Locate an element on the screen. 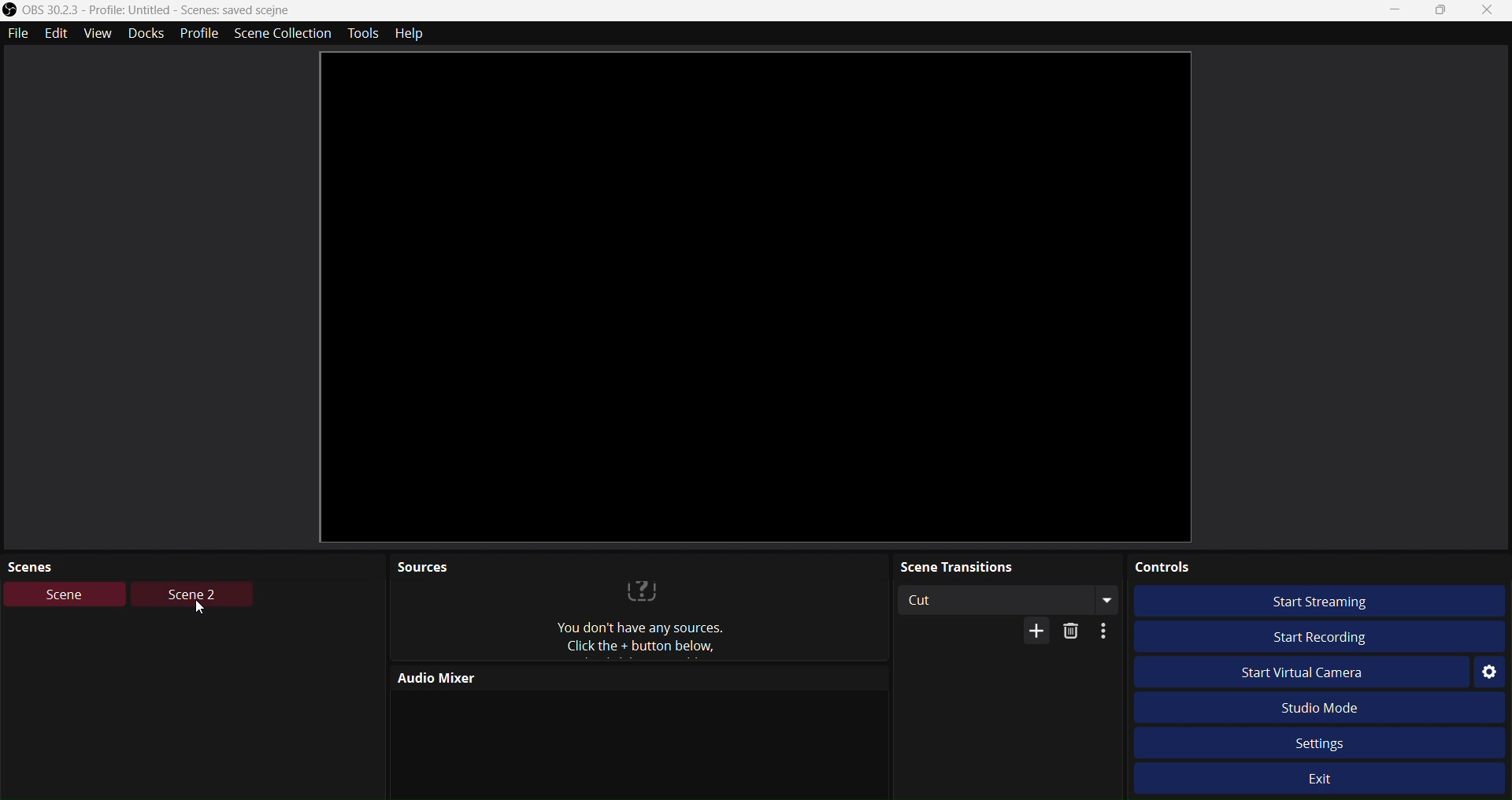  Docks is located at coordinates (147, 35).